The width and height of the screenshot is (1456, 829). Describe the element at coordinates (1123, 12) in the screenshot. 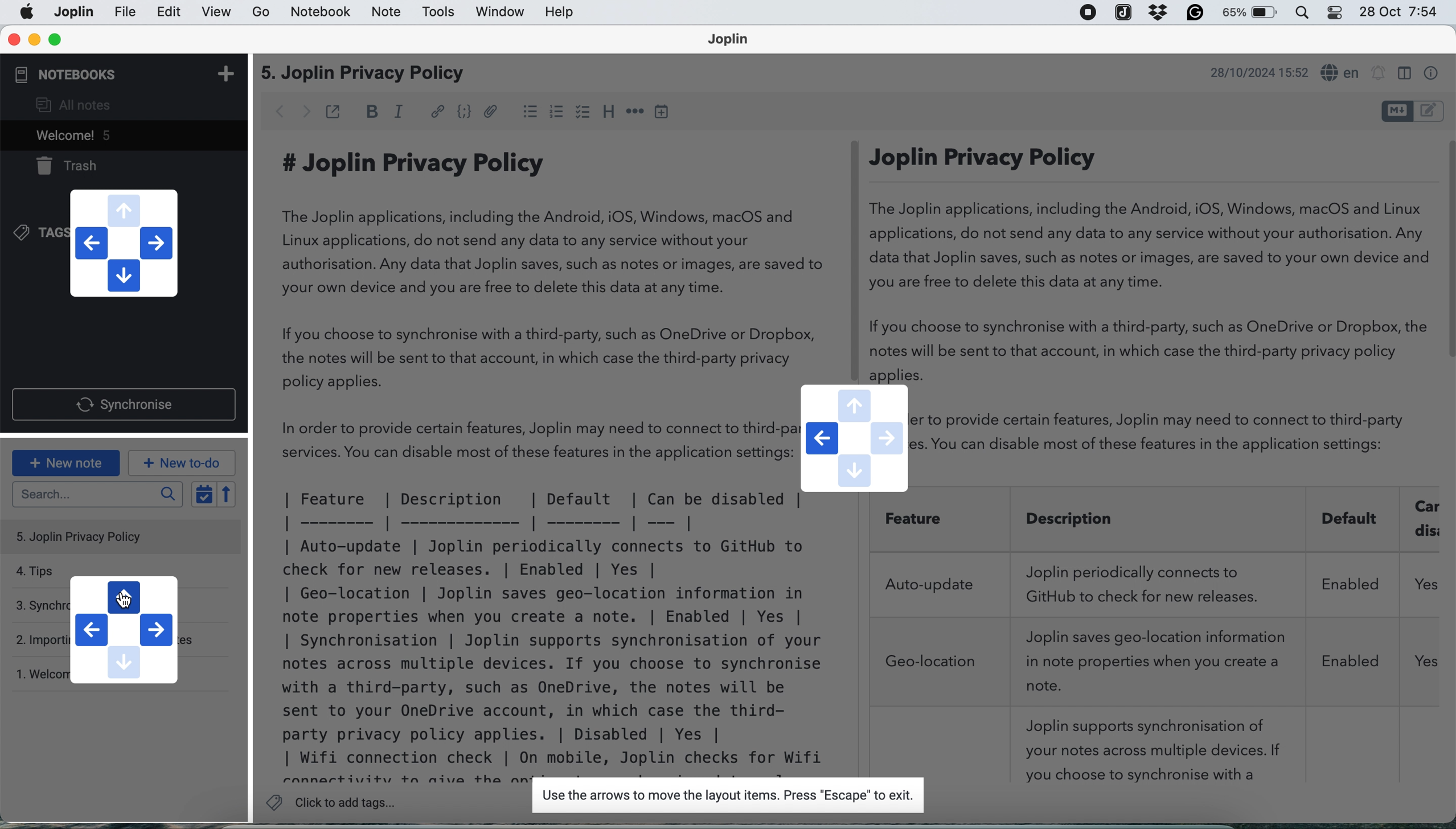

I see `joplin` at that location.